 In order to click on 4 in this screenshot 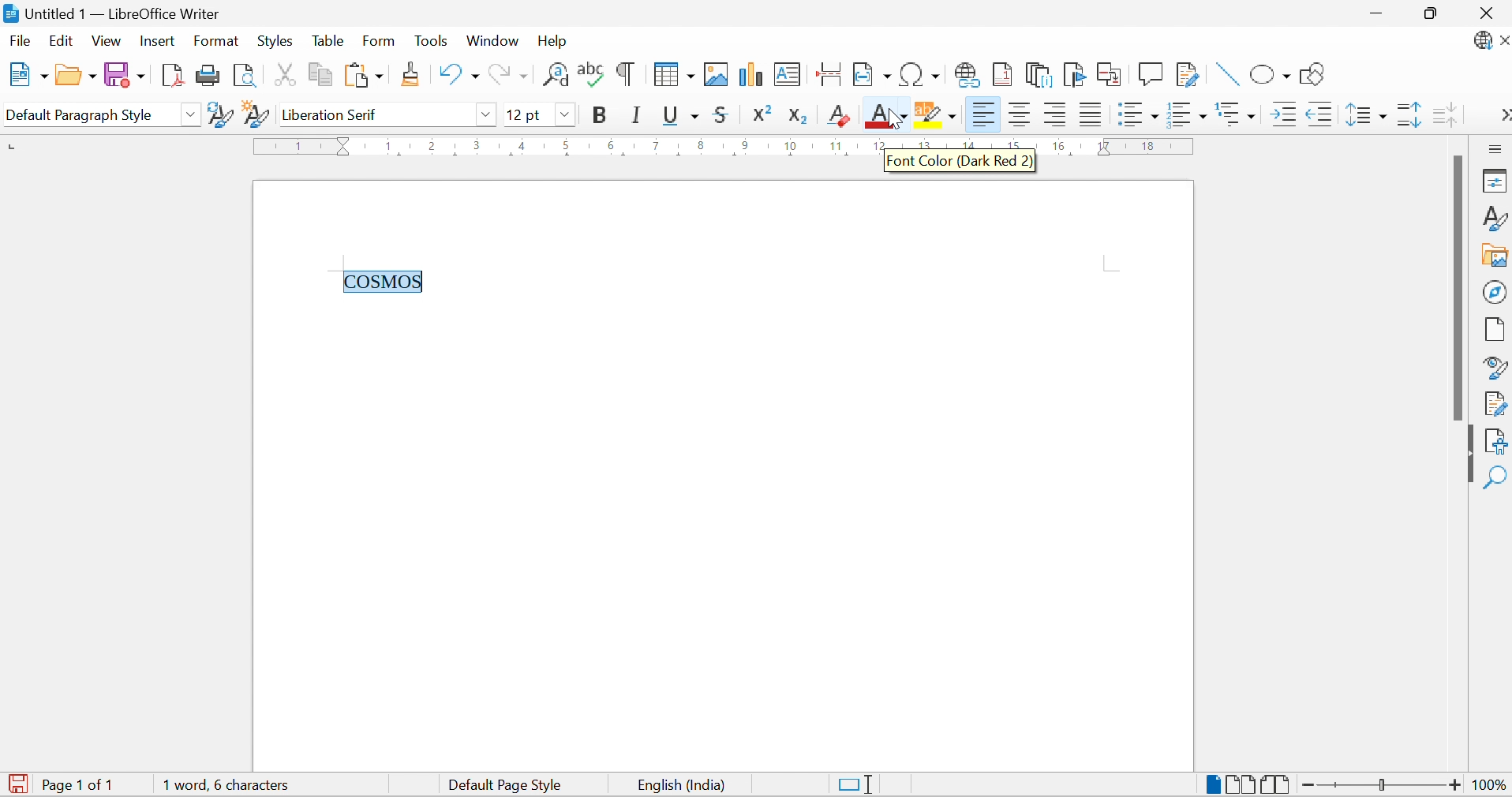, I will do `click(523, 145)`.